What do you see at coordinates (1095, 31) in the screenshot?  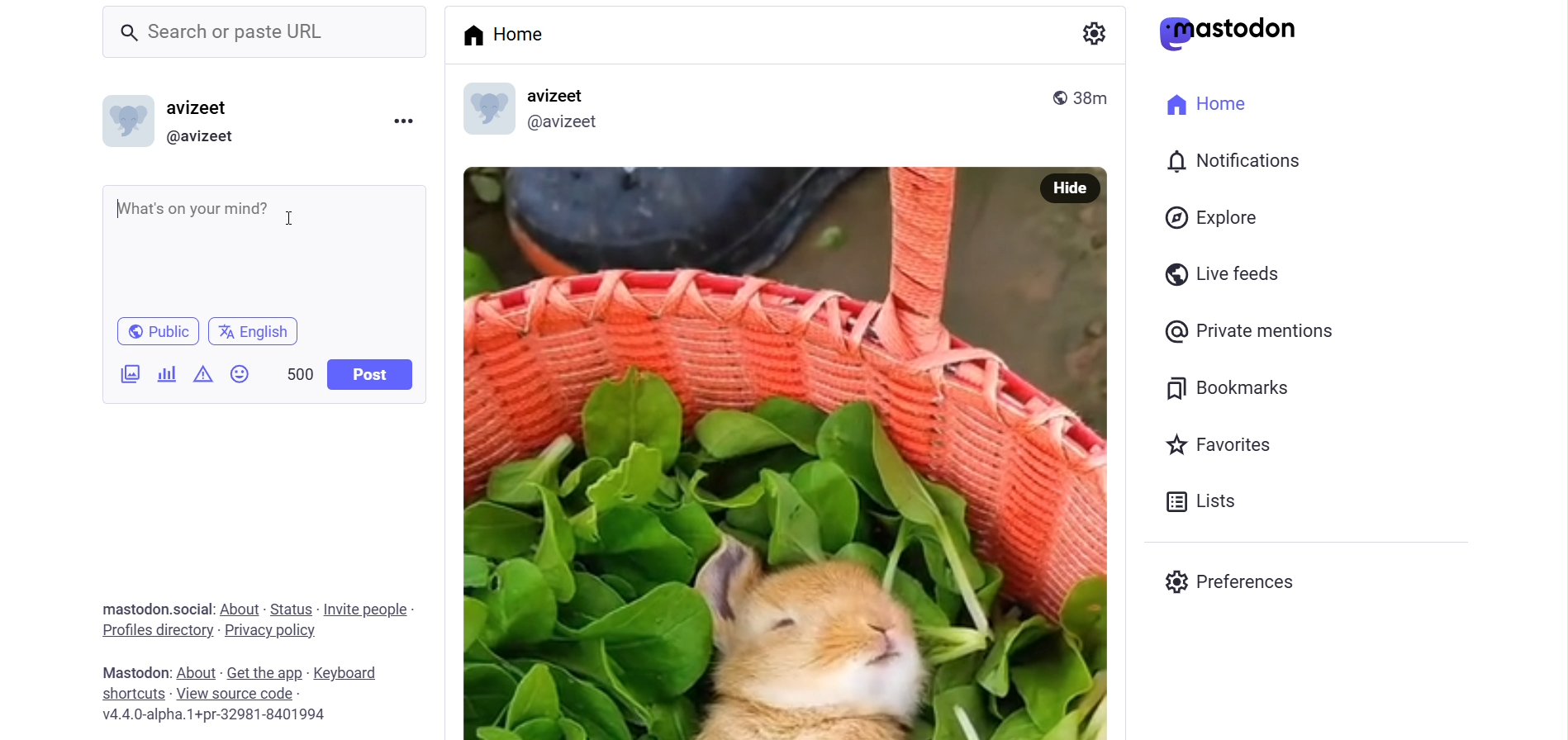 I see `Setting` at bounding box center [1095, 31].